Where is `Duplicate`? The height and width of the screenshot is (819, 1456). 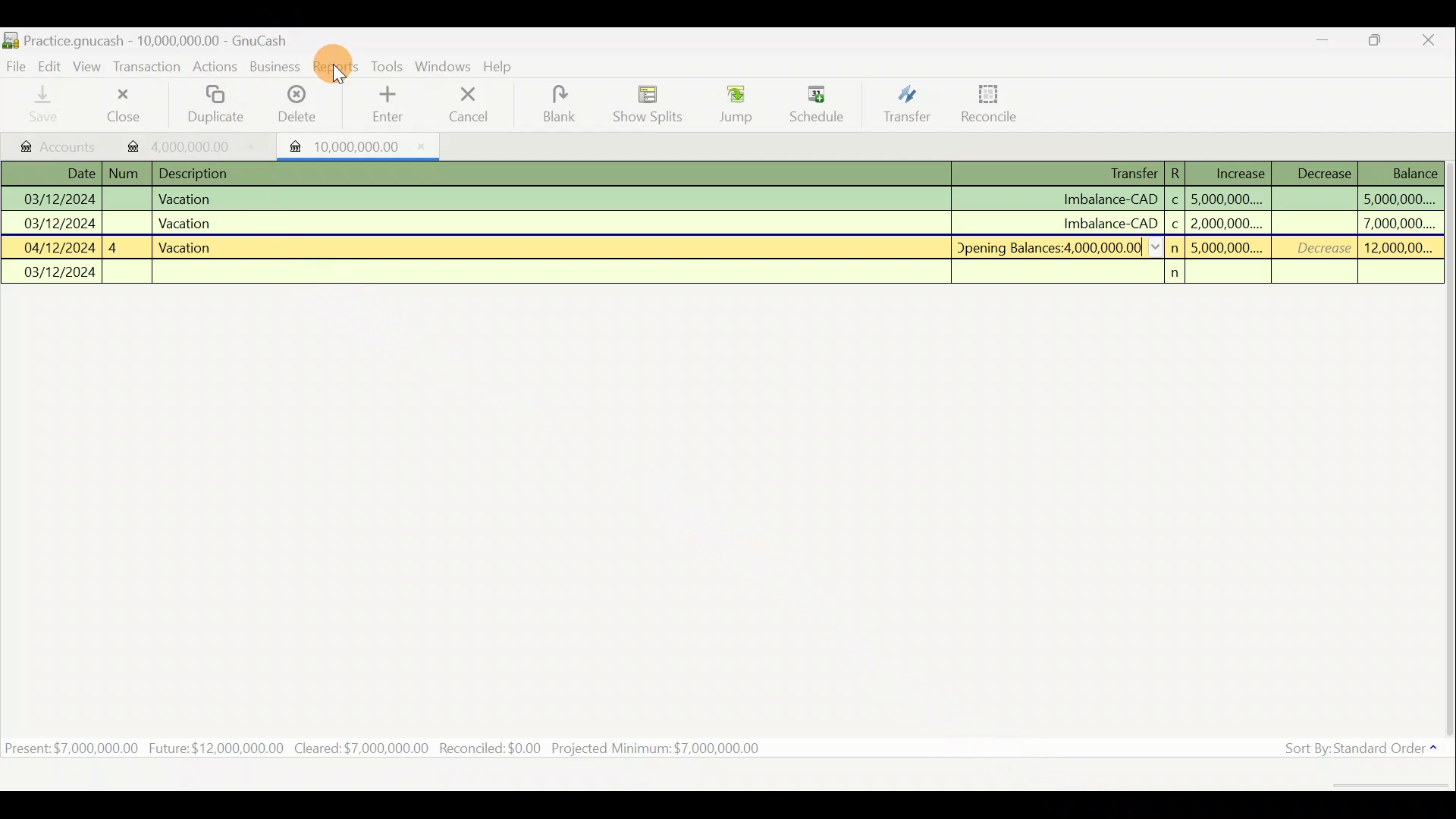 Duplicate is located at coordinates (213, 104).